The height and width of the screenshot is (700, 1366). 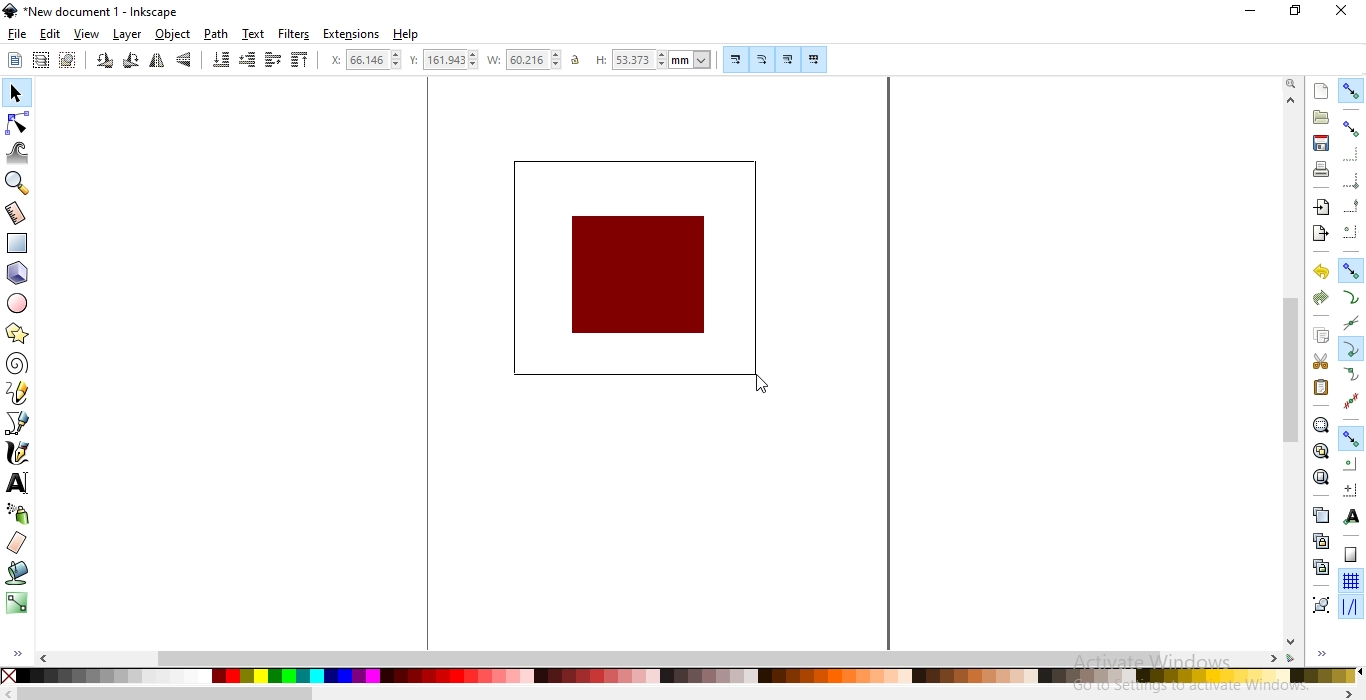 I want to click on create a clone, so click(x=1322, y=539).